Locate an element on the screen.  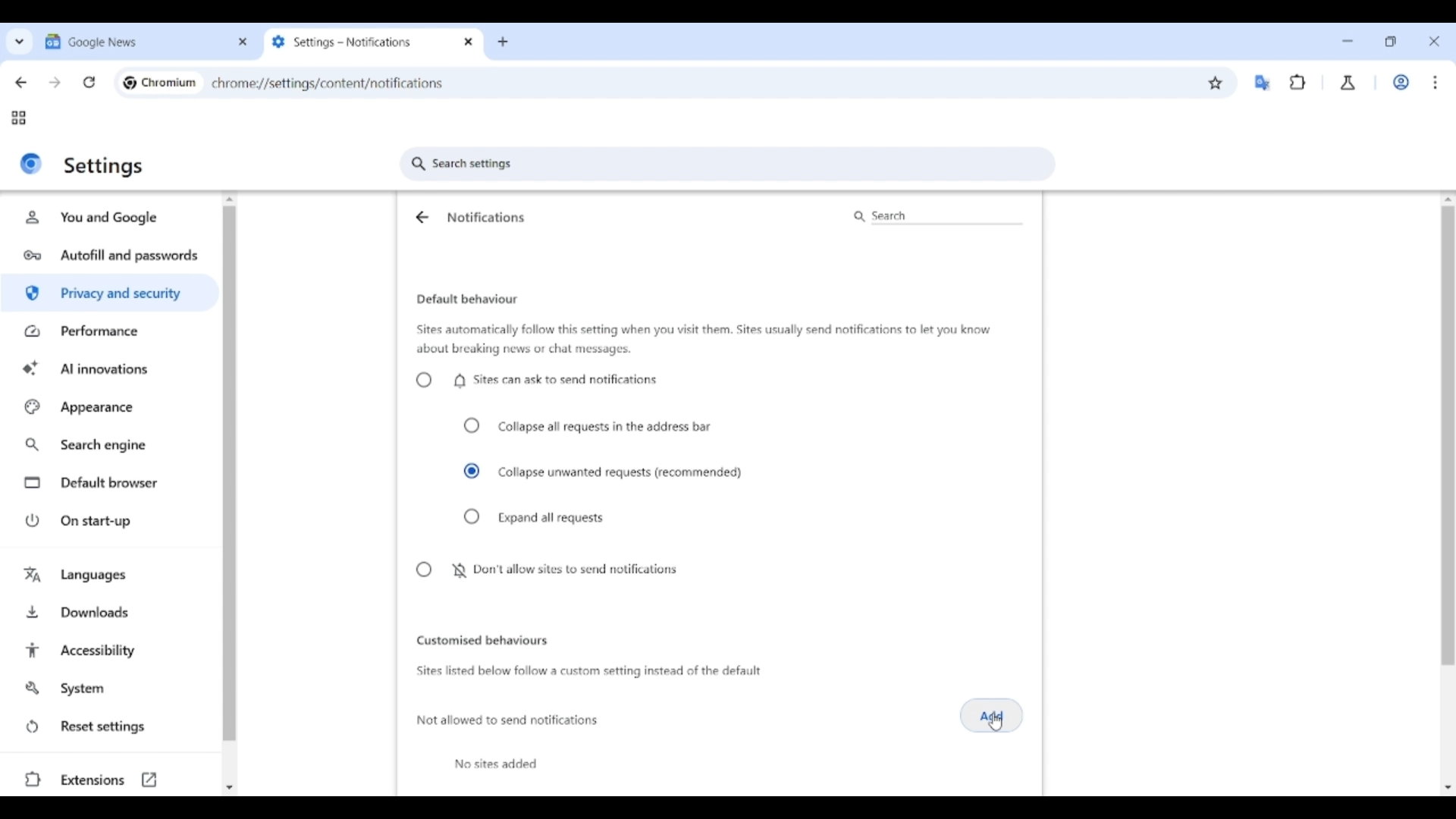
Collapse unwanted requests (recommended) is located at coordinates (604, 472).